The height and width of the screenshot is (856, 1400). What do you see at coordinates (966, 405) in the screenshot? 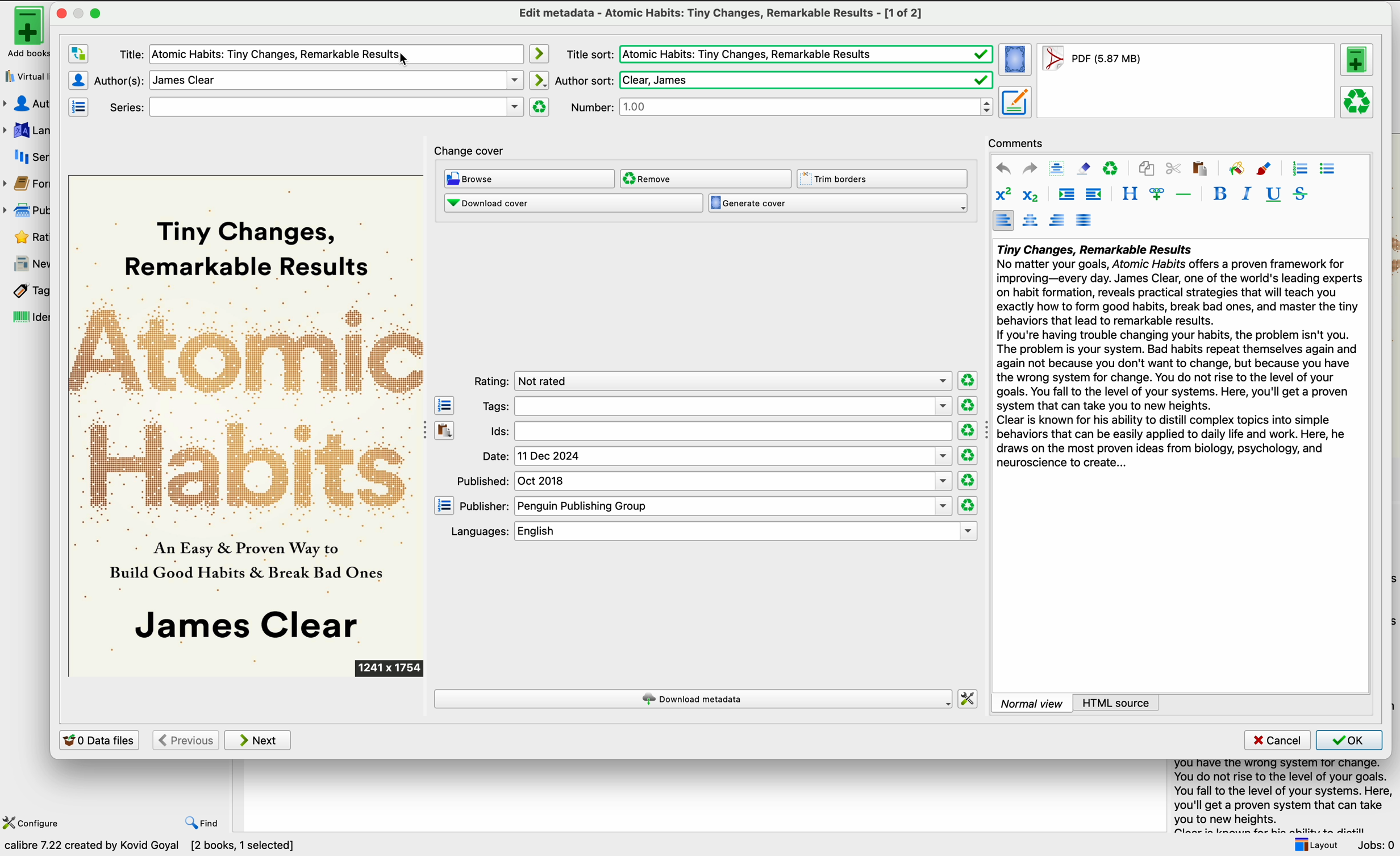
I see `clear rating` at bounding box center [966, 405].